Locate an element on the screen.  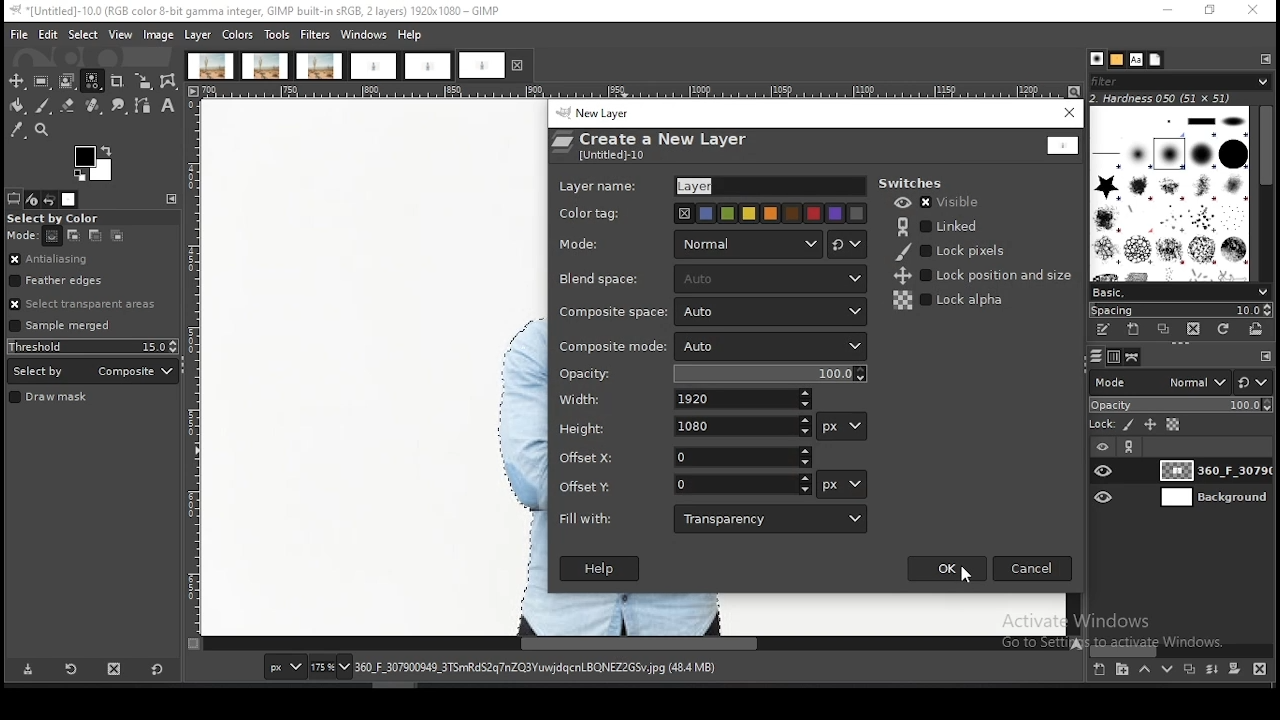
*[Untitled]-10.0 (RGB color 8-bit gamma integer, GIMP built-in sRGB, 2 layers) 1920x1080 — GIMP is located at coordinates (260, 11).